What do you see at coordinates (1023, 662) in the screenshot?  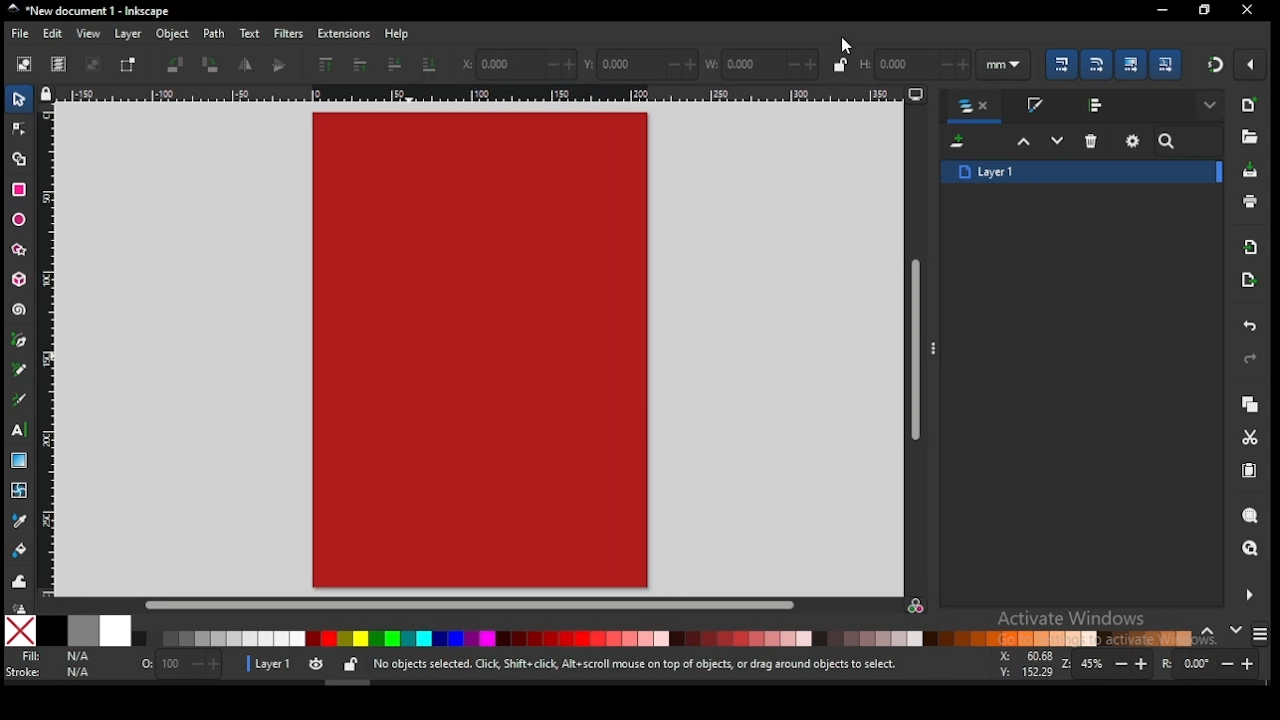 I see `cursor coordinates` at bounding box center [1023, 662].